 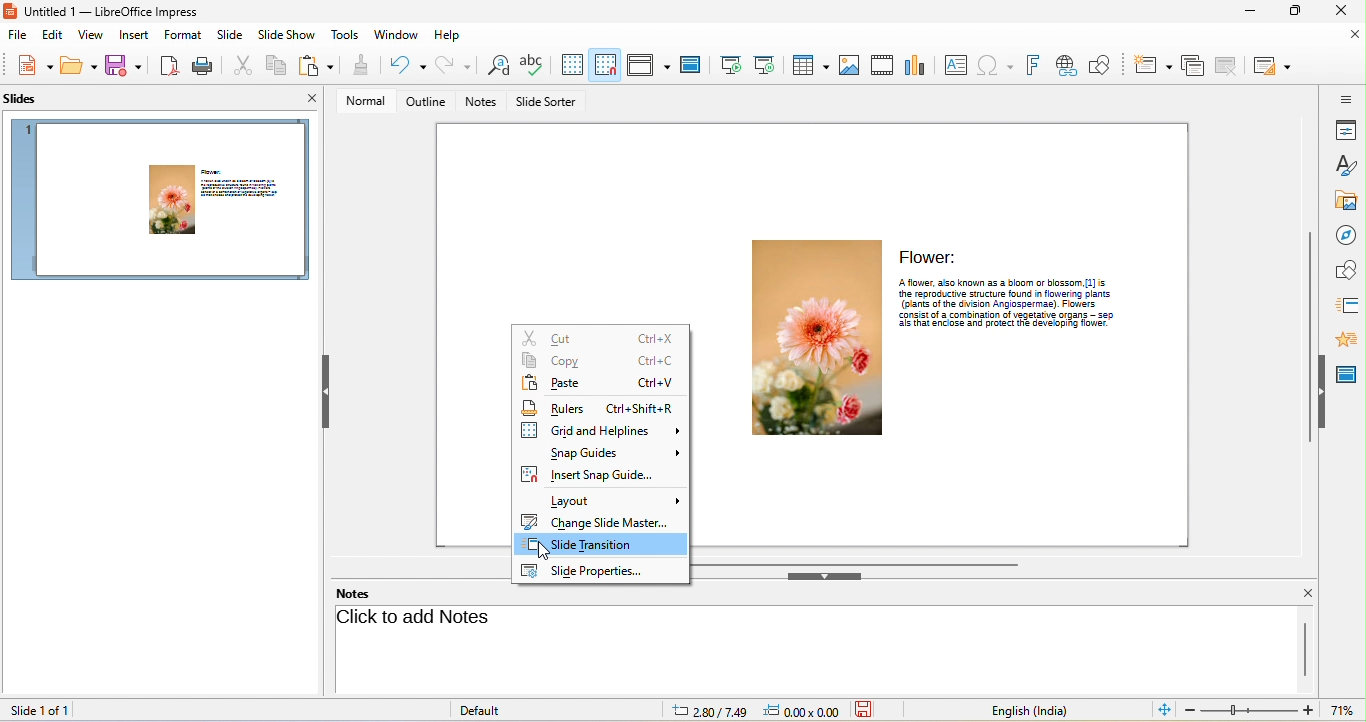 I want to click on layout, so click(x=601, y=501).